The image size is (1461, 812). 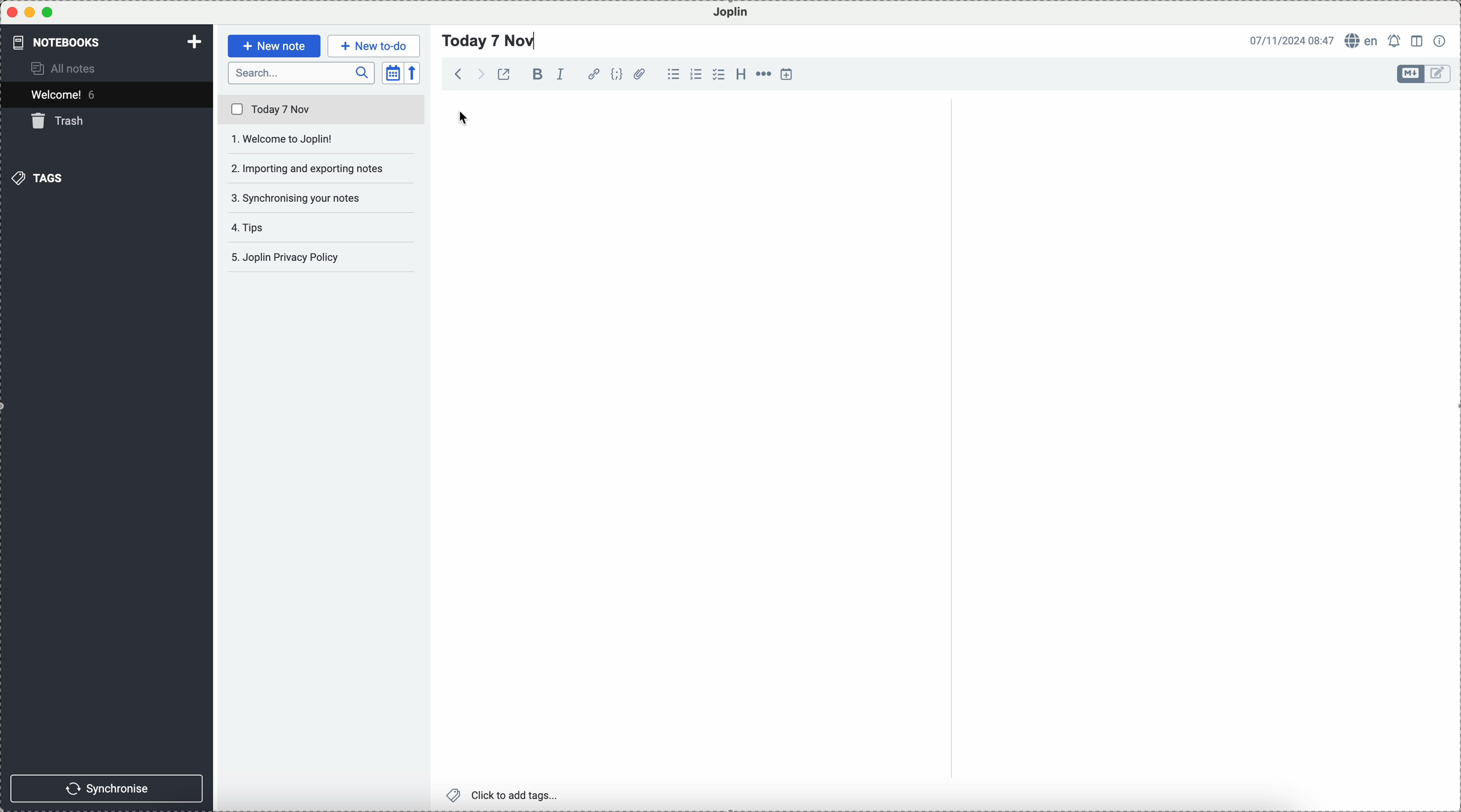 What do you see at coordinates (535, 74) in the screenshot?
I see `bold` at bounding box center [535, 74].